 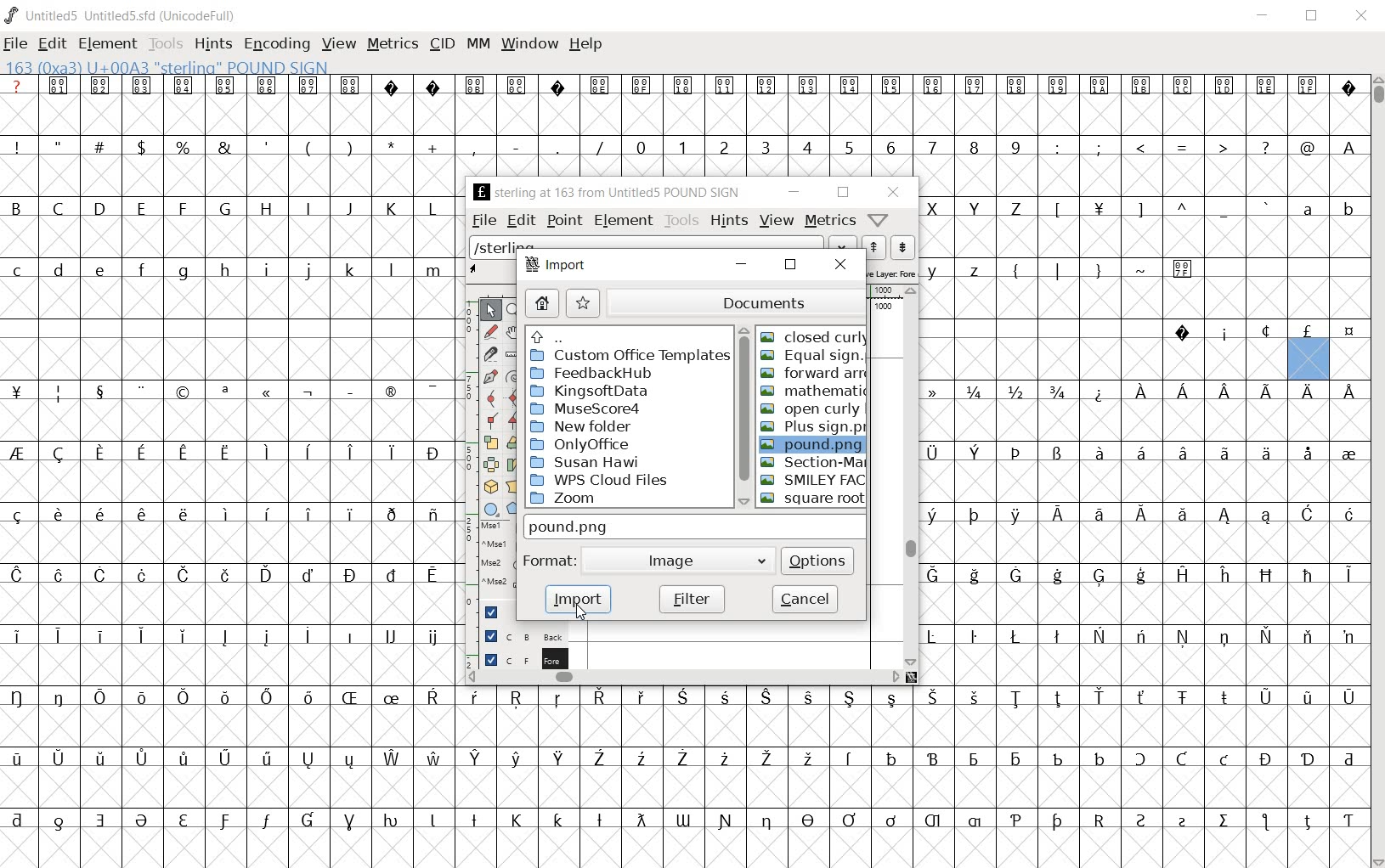 What do you see at coordinates (556, 336) in the screenshot?
I see `` at bounding box center [556, 336].